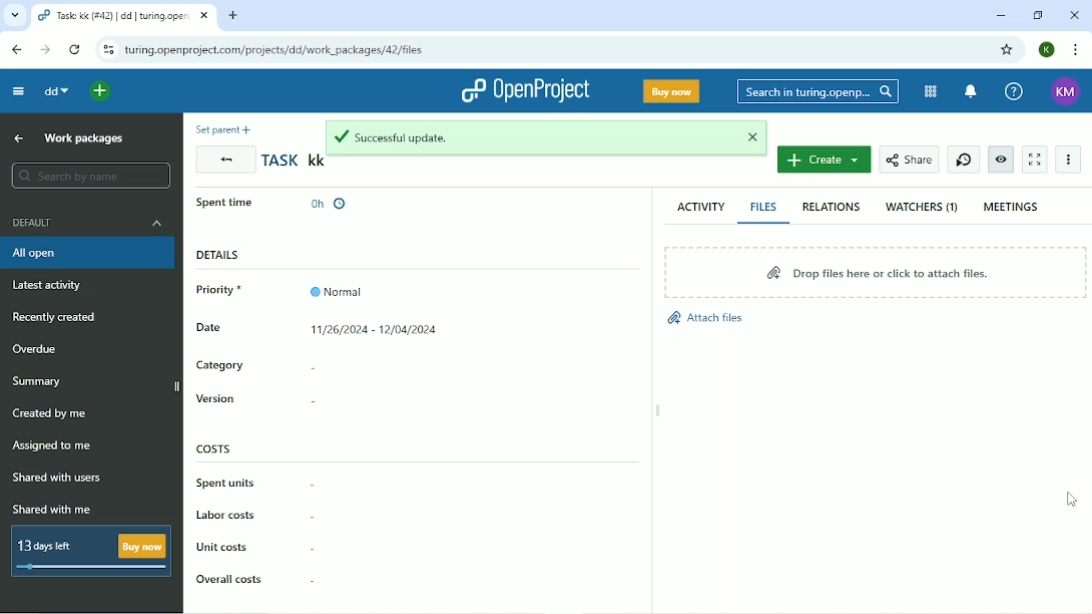 This screenshot has width=1092, height=614. I want to click on Back, so click(16, 50).